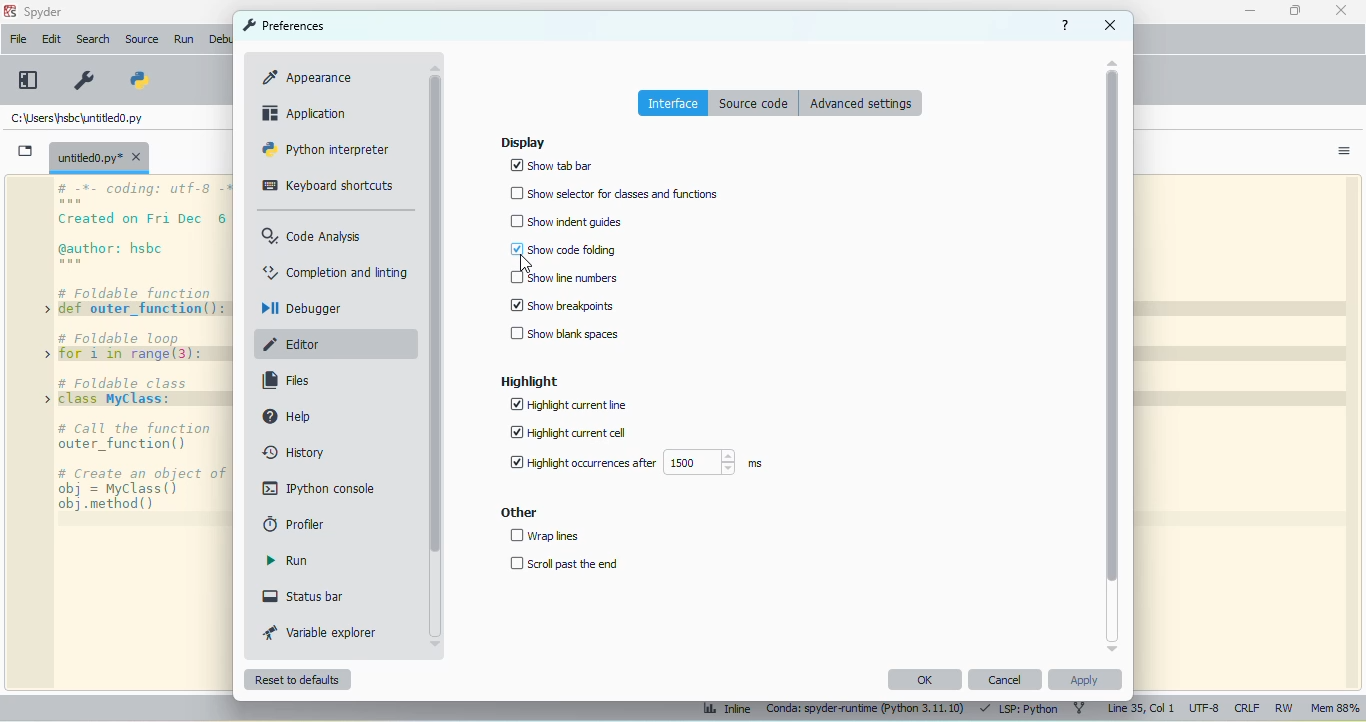 Image resolution: width=1366 pixels, height=722 pixels. I want to click on wrap lines, so click(546, 536).